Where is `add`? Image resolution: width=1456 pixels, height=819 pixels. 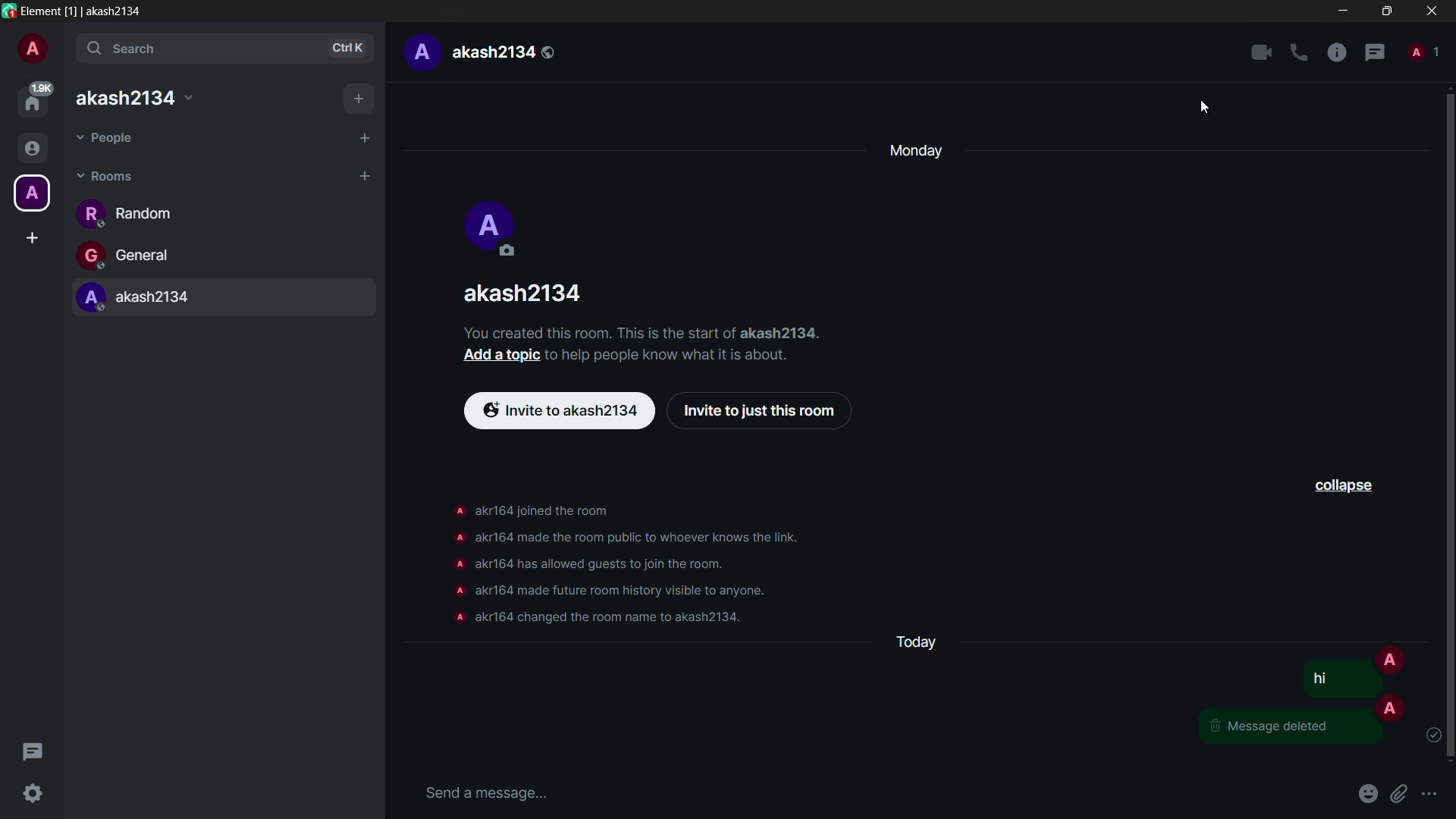
add is located at coordinates (359, 99).